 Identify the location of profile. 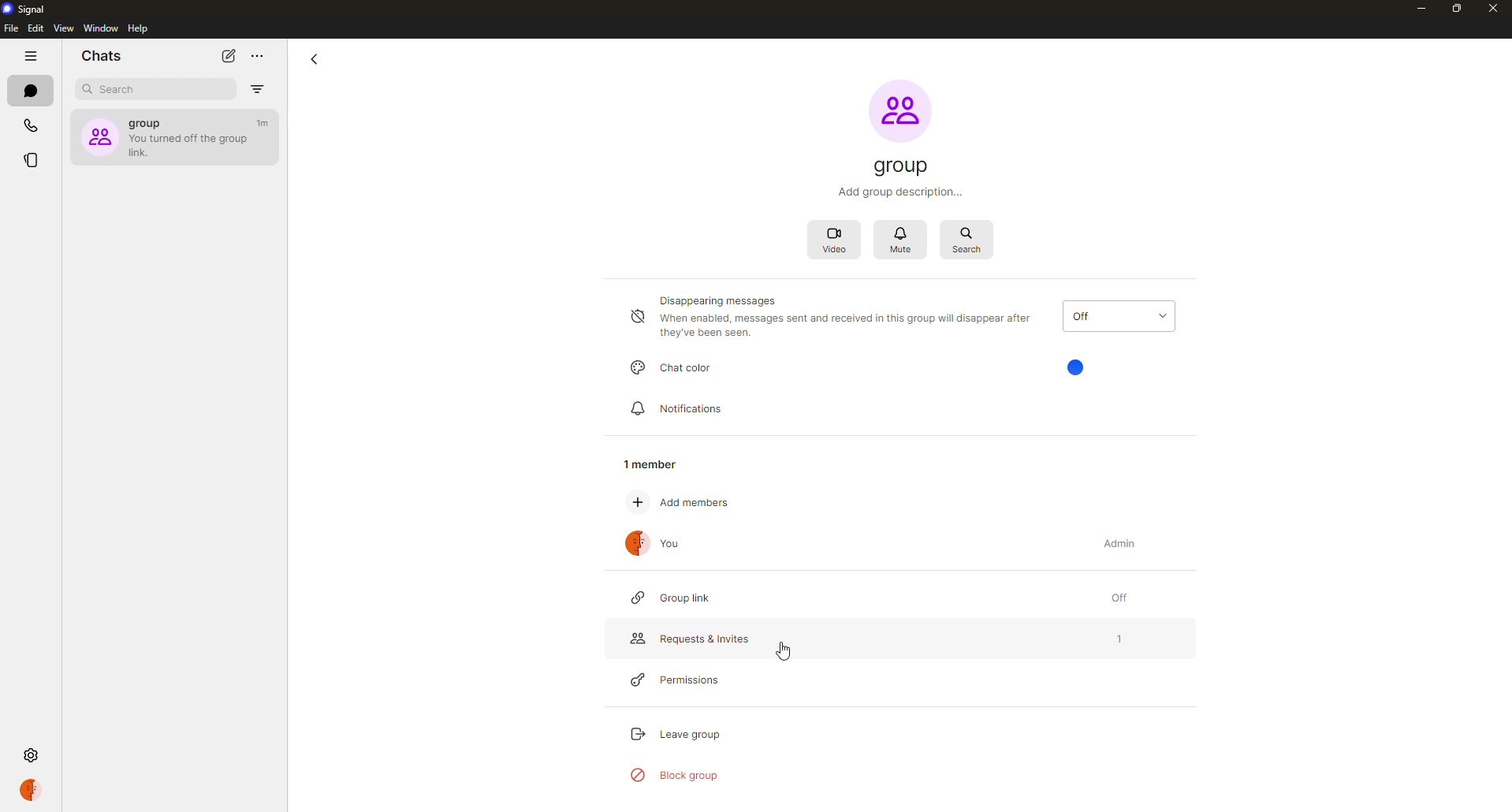
(31, 790).